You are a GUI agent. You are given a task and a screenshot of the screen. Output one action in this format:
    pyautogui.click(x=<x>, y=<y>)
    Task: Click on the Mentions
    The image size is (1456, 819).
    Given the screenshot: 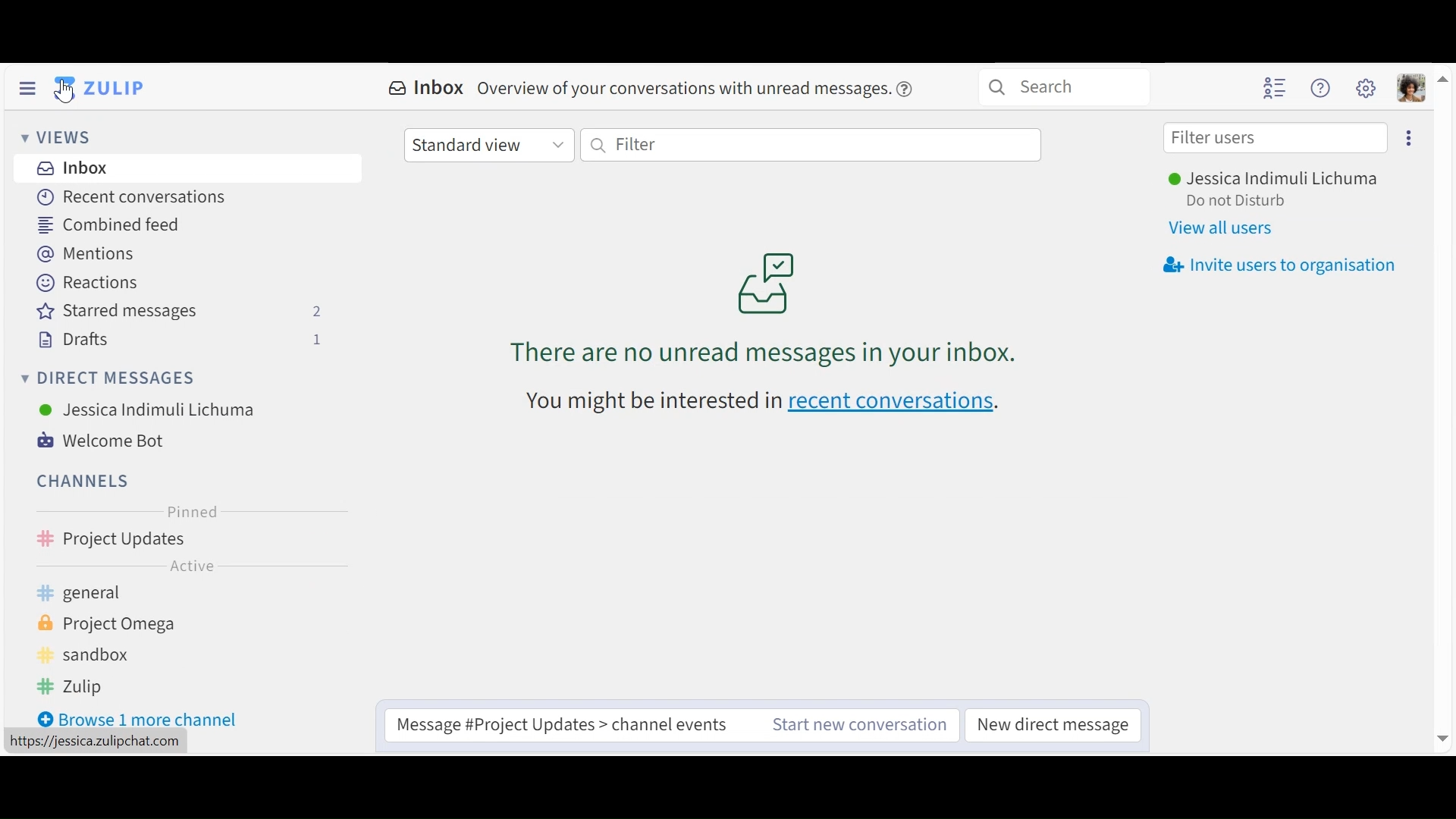 What is the action you would take?
    pyautogui.click(x=85, y=255)
    